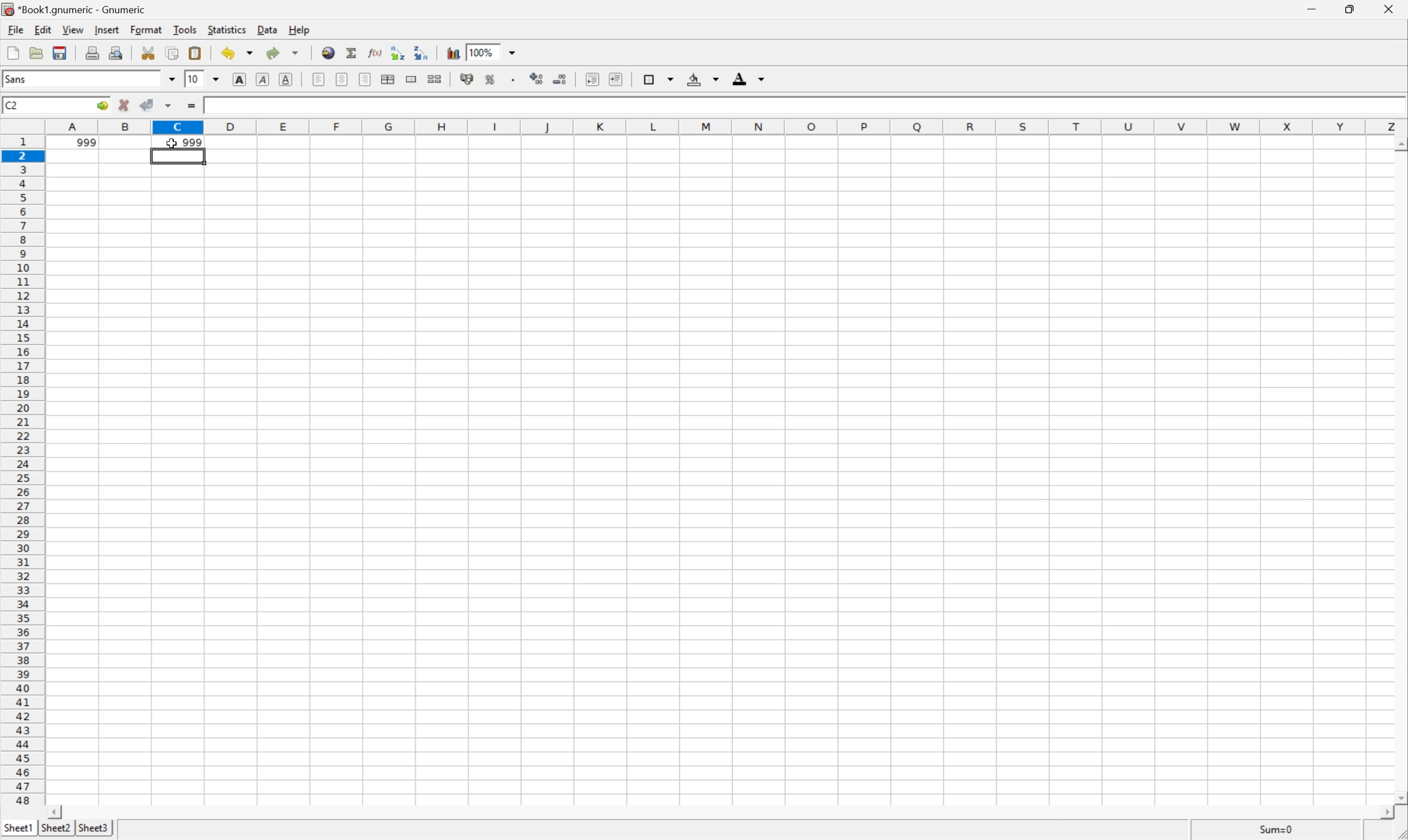 The height and width of the screenshot is (840, 1408). Describe the element at coordinates (106, 31) in the screenshot. I see `insert` at that location.